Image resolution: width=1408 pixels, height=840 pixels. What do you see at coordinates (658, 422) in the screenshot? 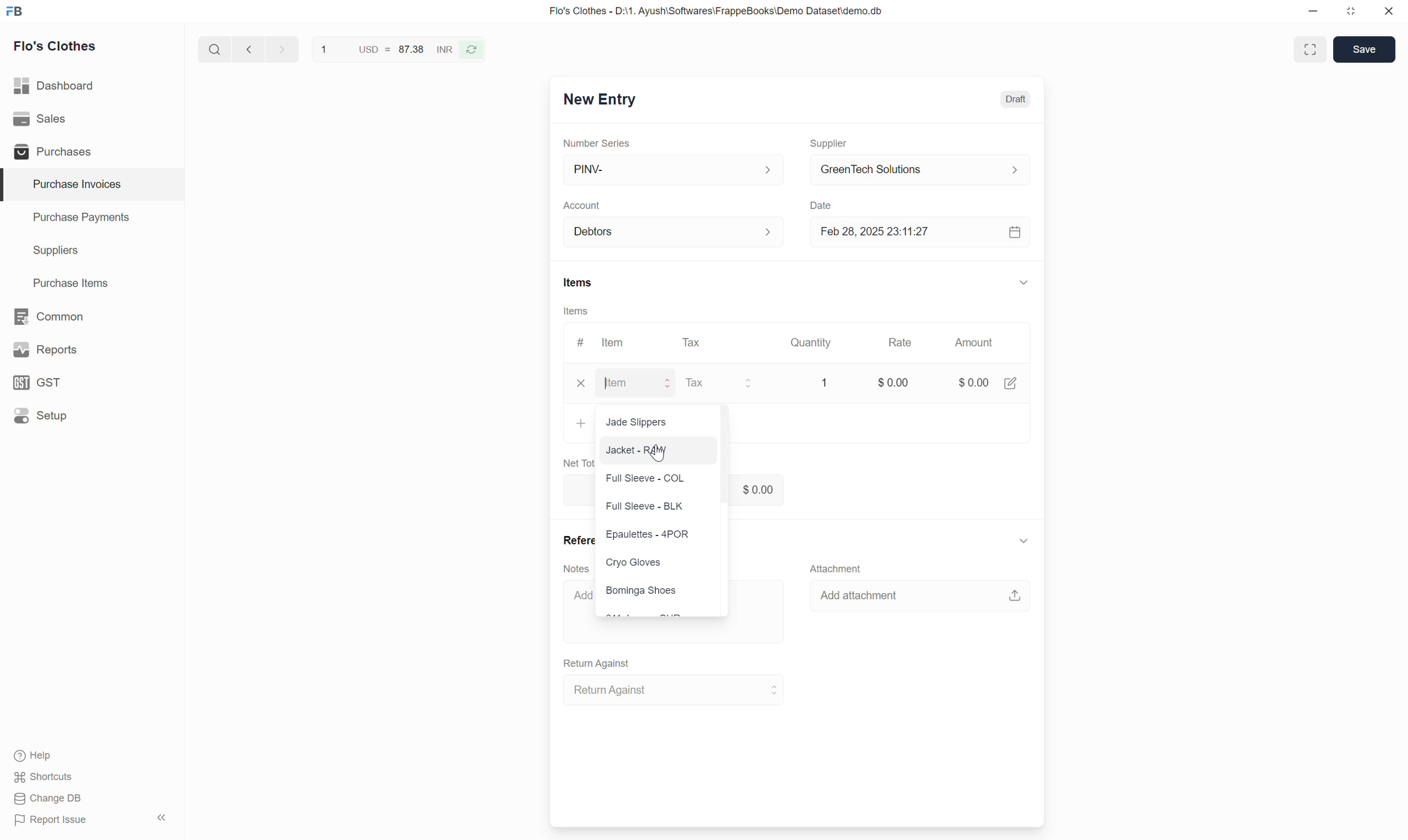
I see `Jade Slippers` at bounding box center [658, 422].